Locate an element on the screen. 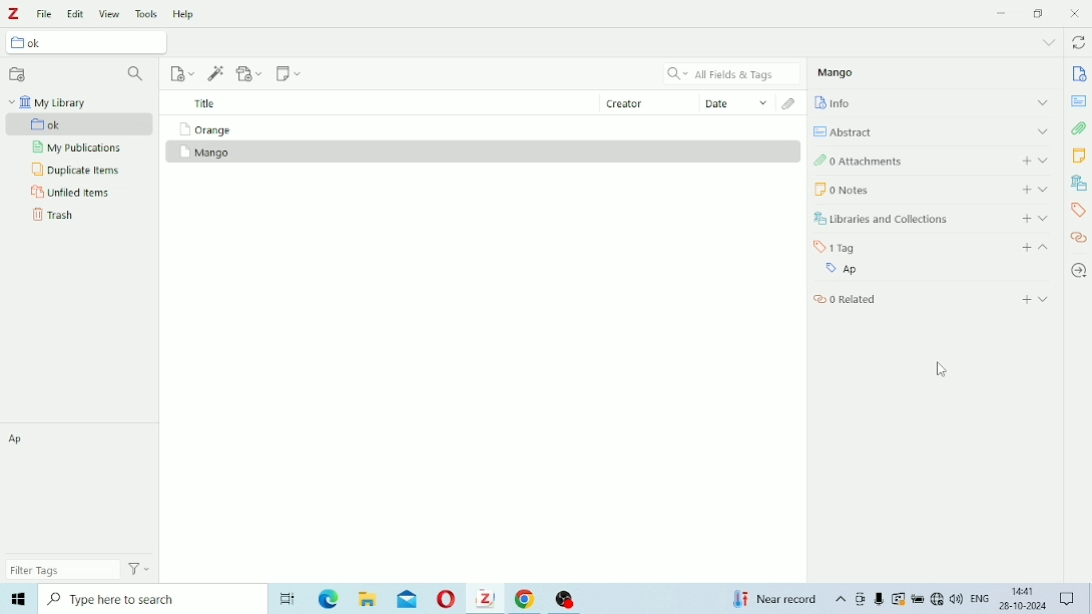 This screenshot has height=614, width=1092. Notifications is located at coordinates (1069, 598).